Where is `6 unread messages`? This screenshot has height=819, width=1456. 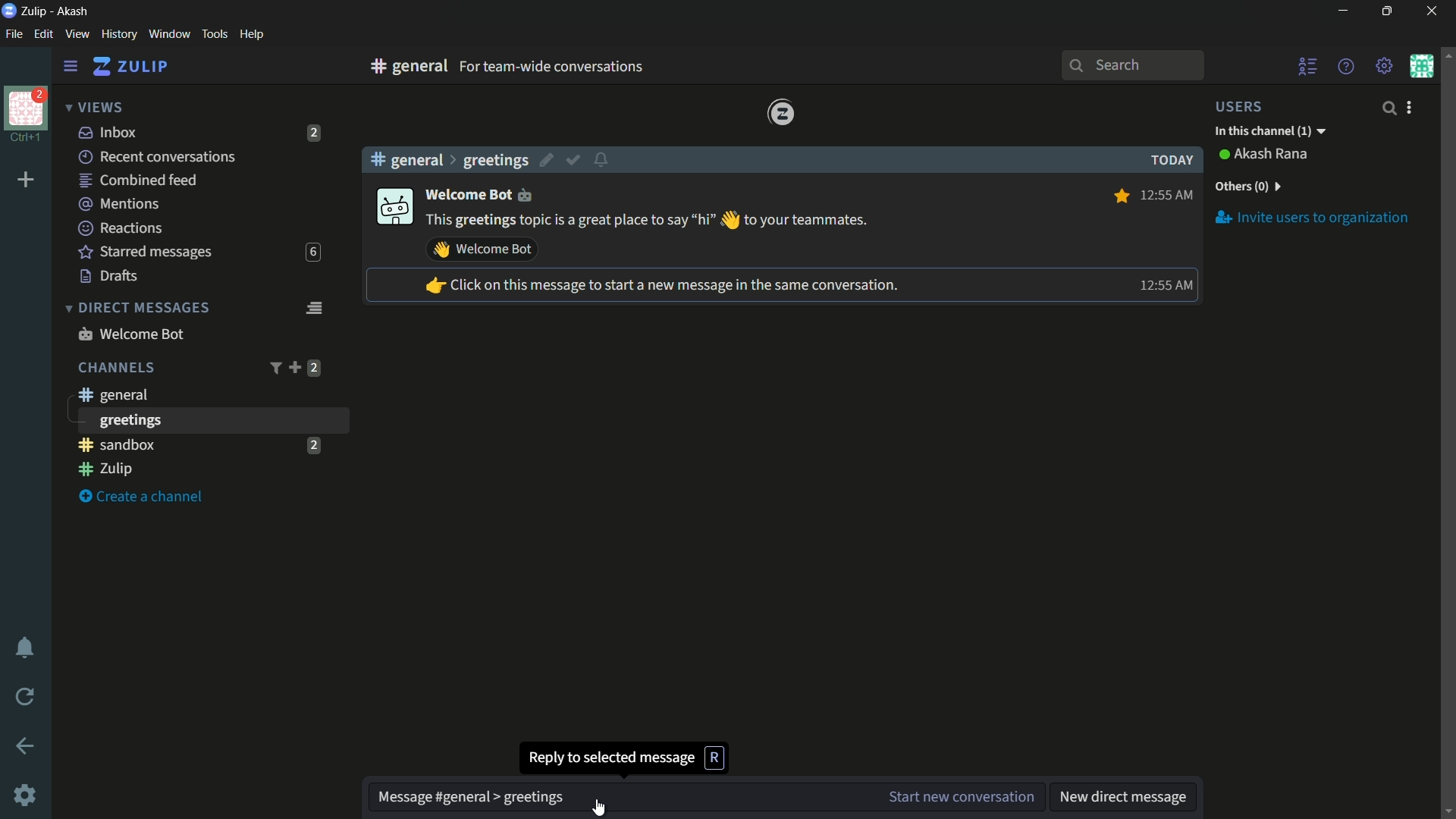
6 unread messages is located at coordinates (312, 253).